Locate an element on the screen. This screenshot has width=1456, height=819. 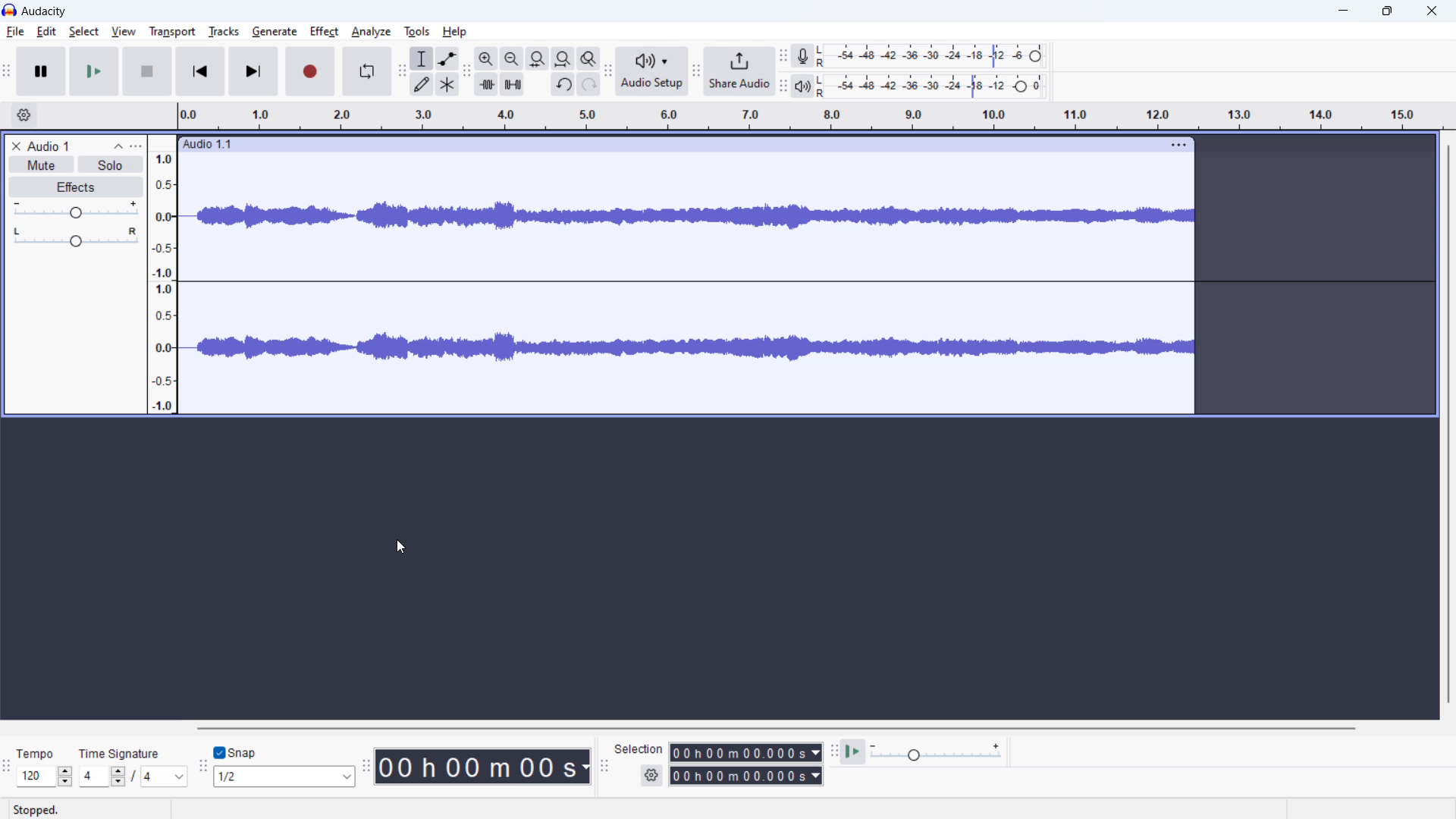
stop is located at coordinates (147, 71).